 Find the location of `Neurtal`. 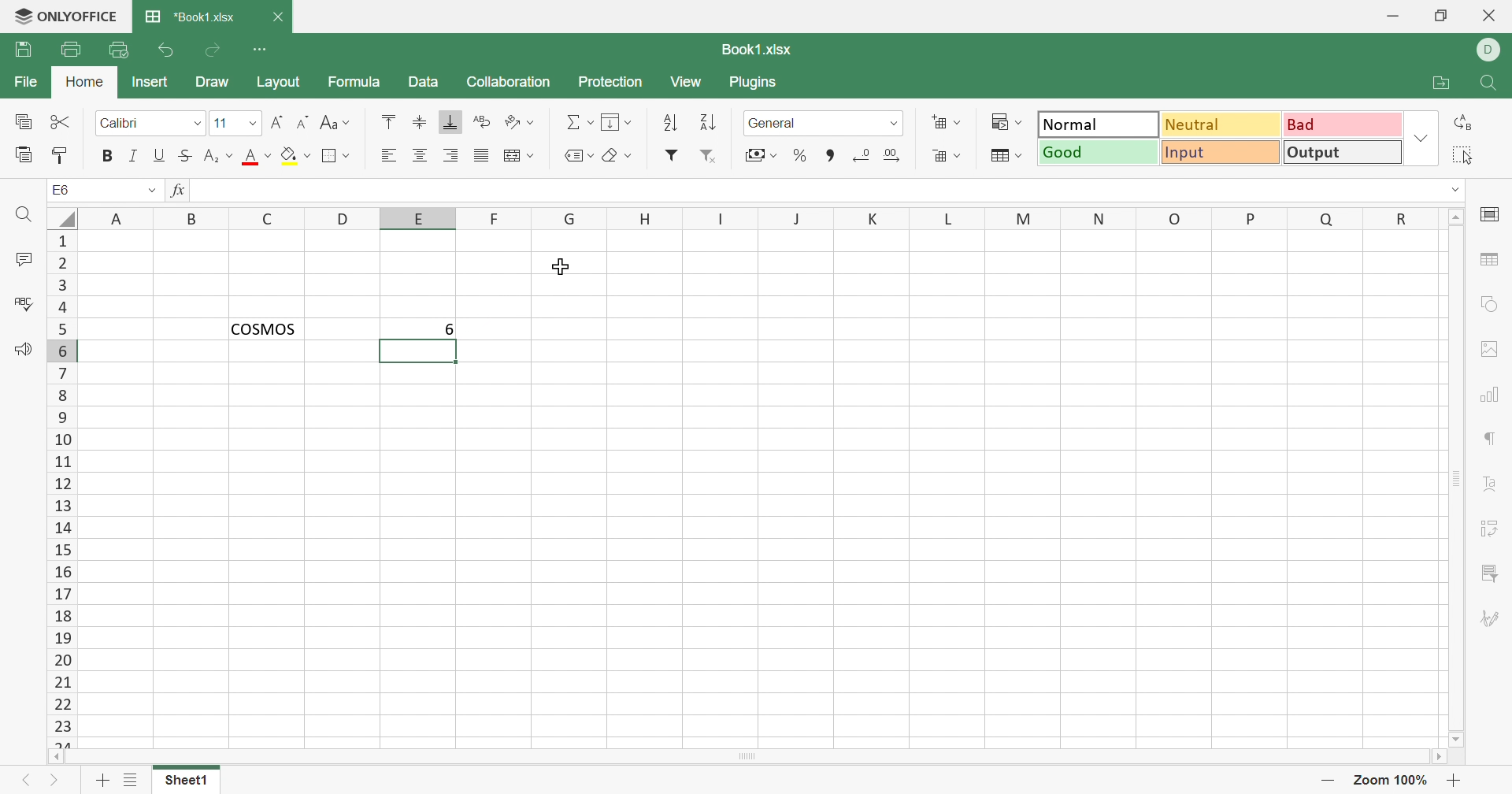

Neurtal is located at coordinates (1222, 126).